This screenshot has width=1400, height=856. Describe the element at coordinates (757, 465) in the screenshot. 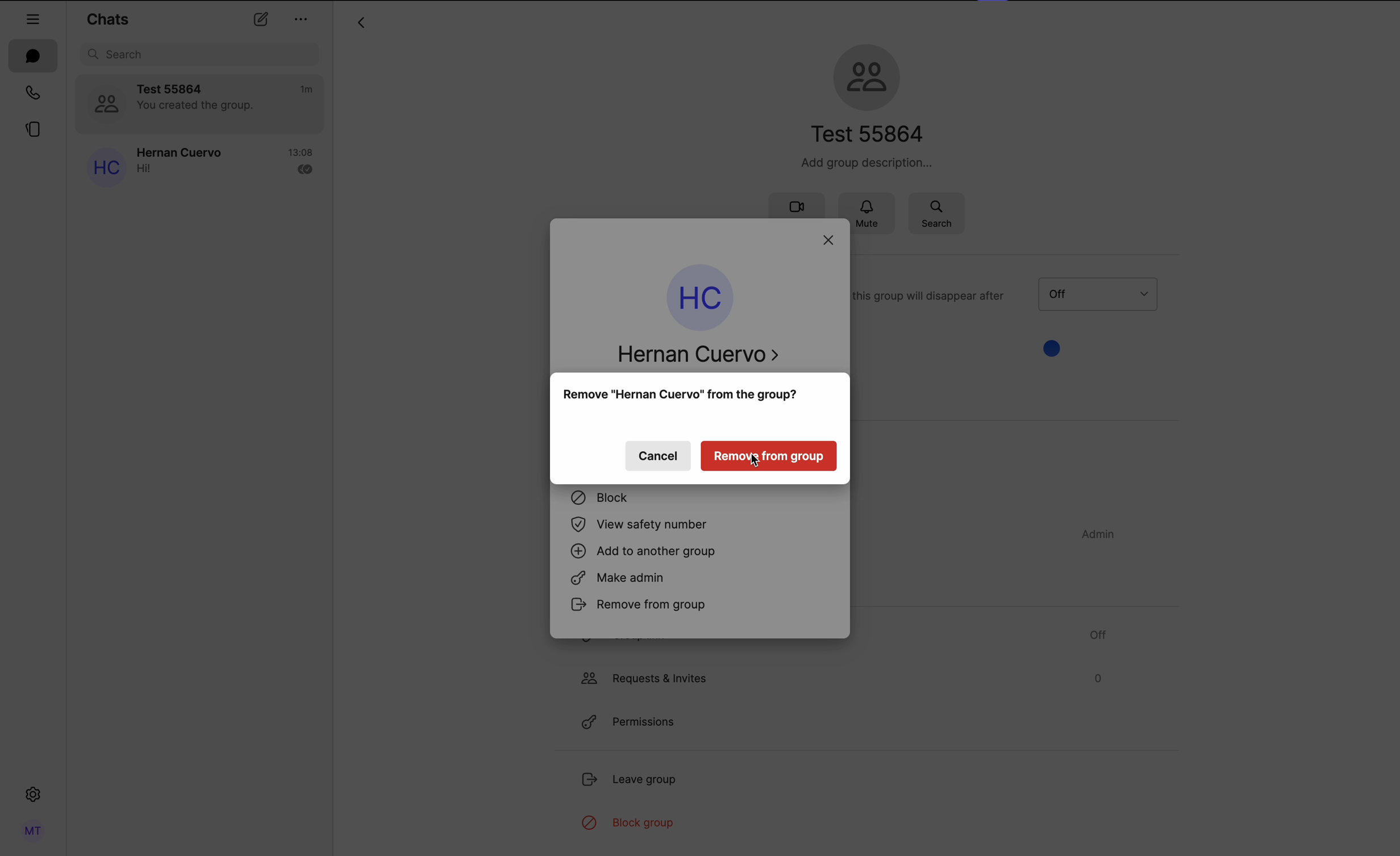

I see `cursor` at that location.